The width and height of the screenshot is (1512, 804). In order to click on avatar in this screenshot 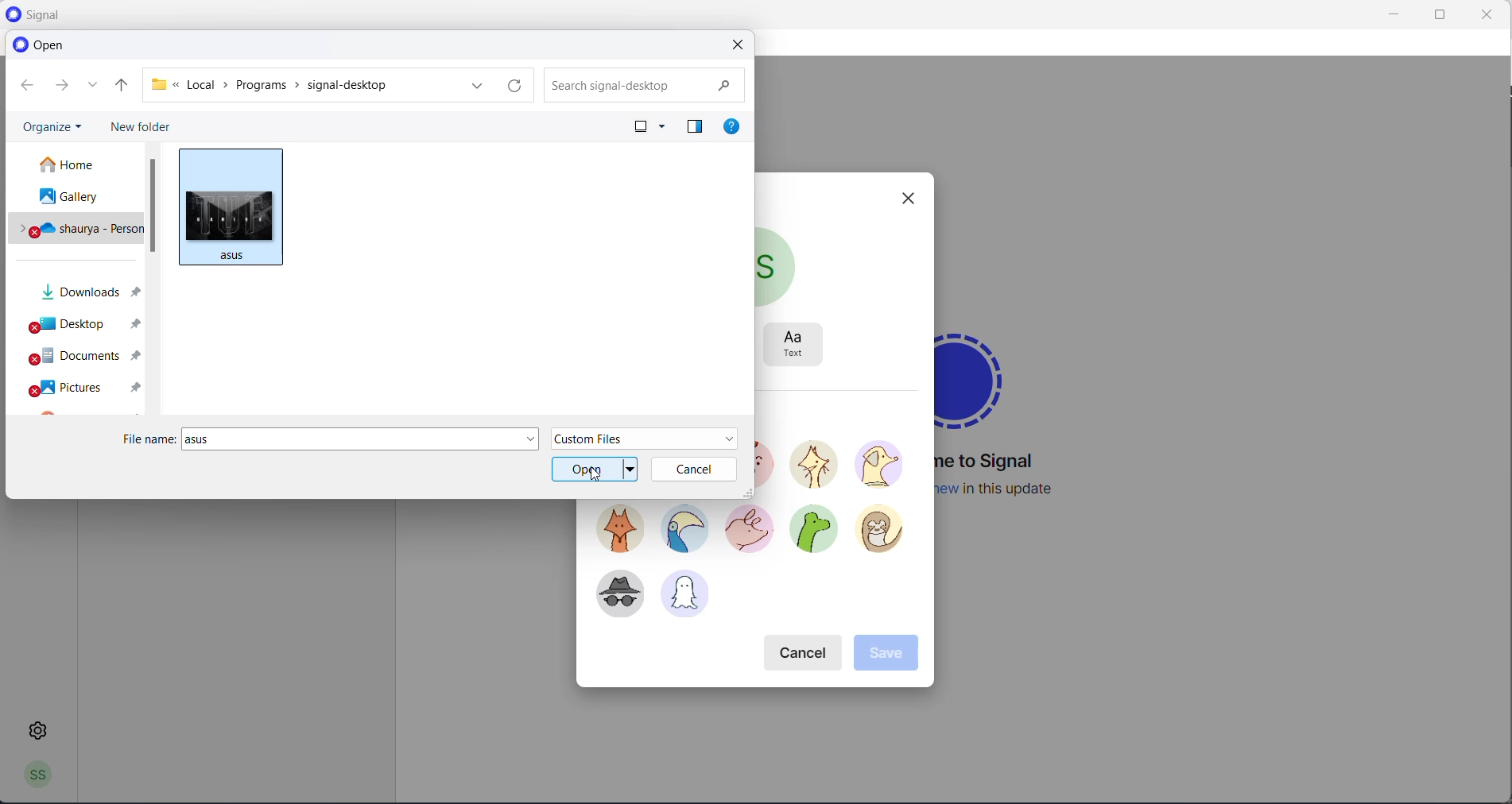, I will do `click(749, 531)`.